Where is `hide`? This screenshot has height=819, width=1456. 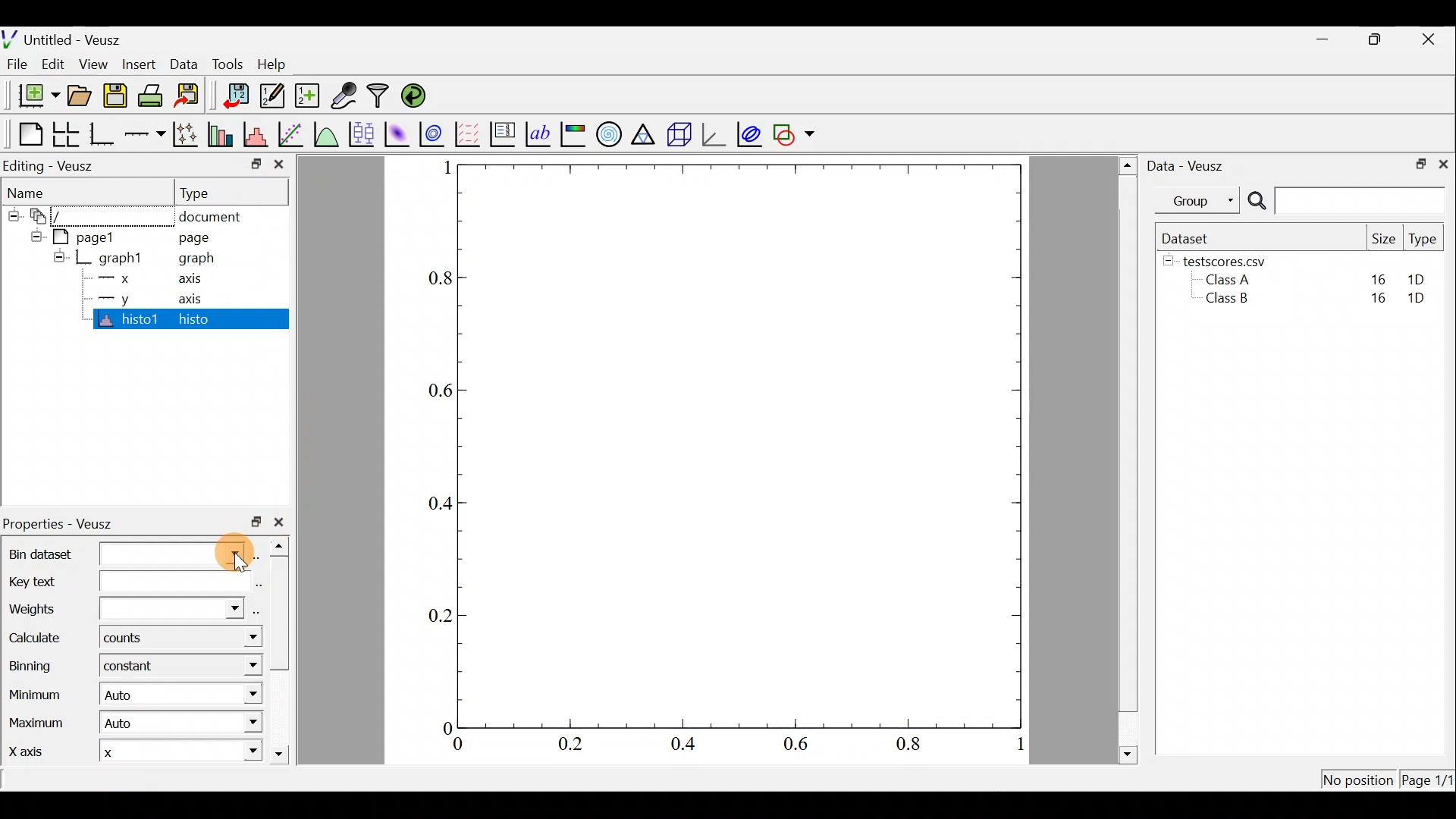
hide is located at coordinates (1169, 262).